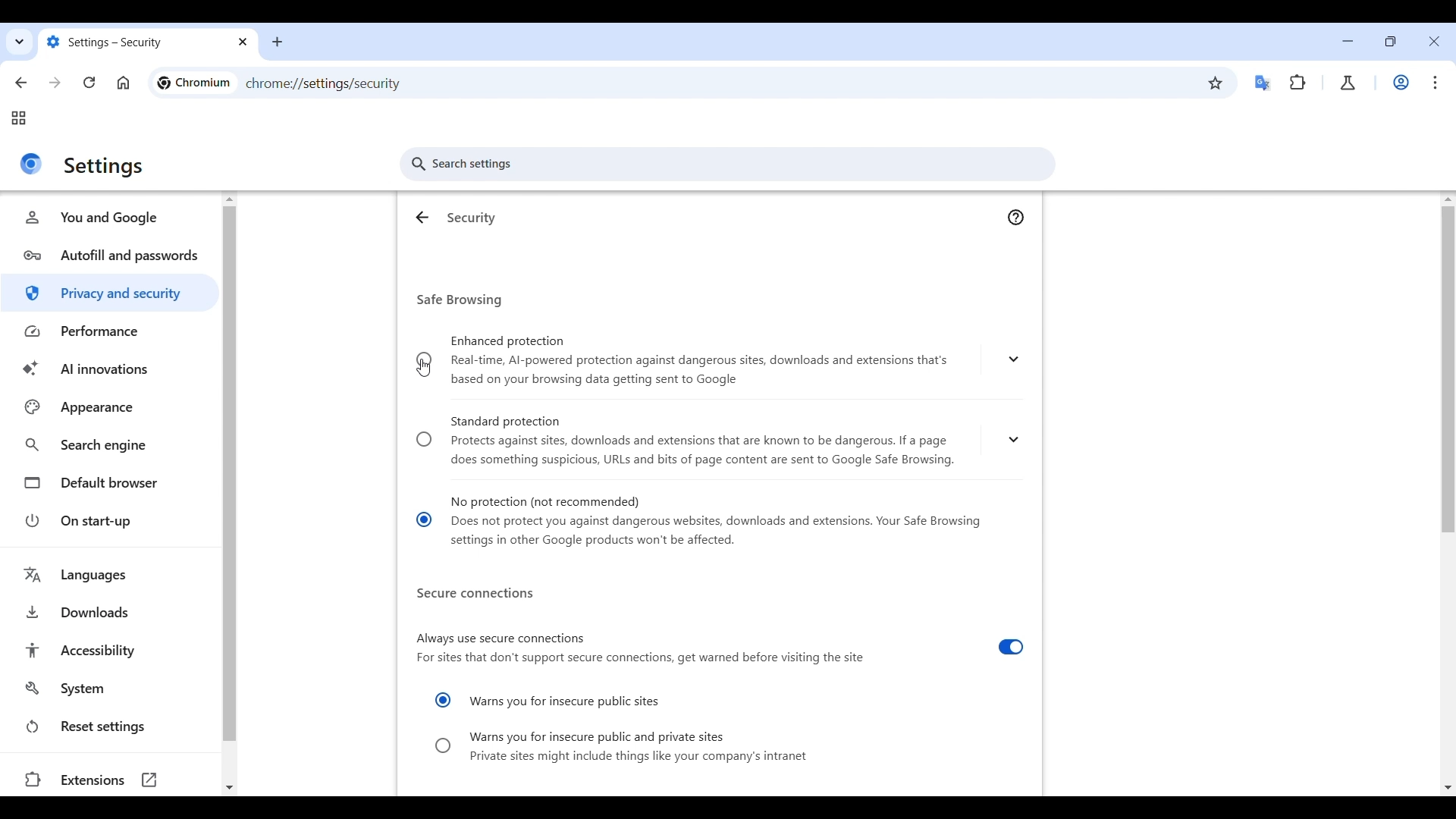 The image size is (1456, 819). Describe the element at coordinates (243, 40) in the screenshot. I see `close` at that location.